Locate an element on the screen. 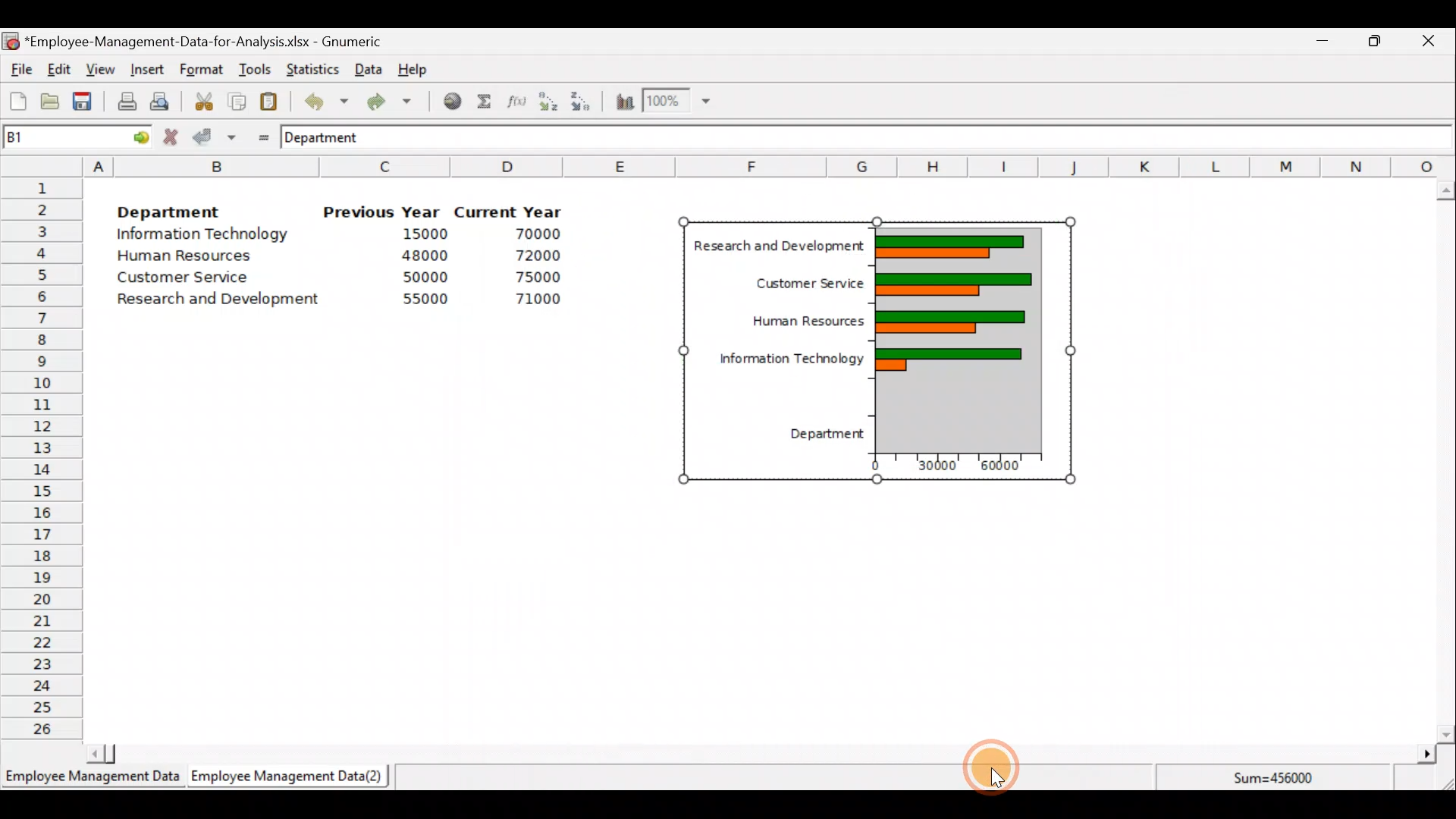 This screenshot has height=819, width=1456. Insert hyperlink is located at coordinates (447, 100).